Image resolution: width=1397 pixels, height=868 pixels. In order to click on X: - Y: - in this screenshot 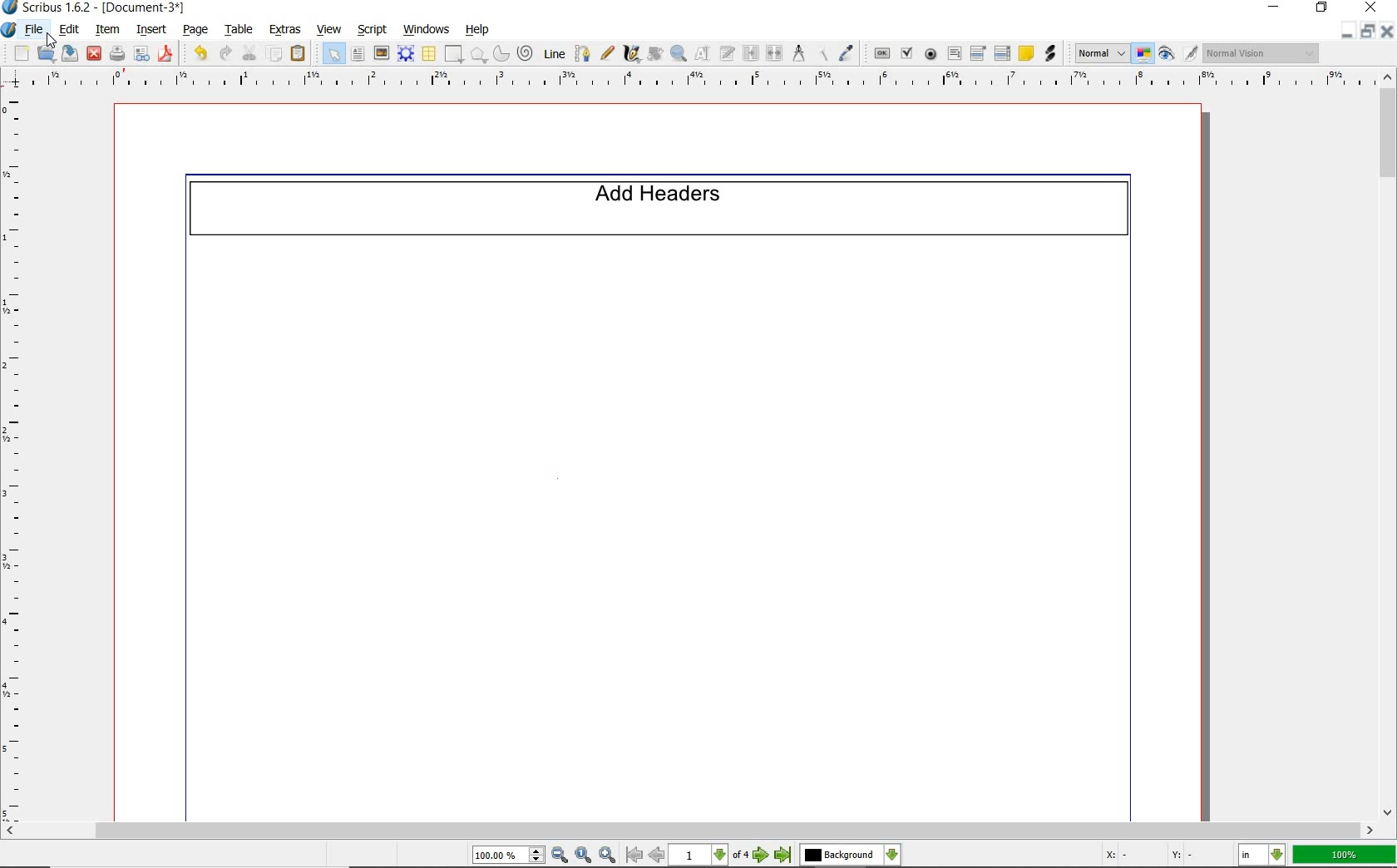, I will do `click(1146, 855)`.